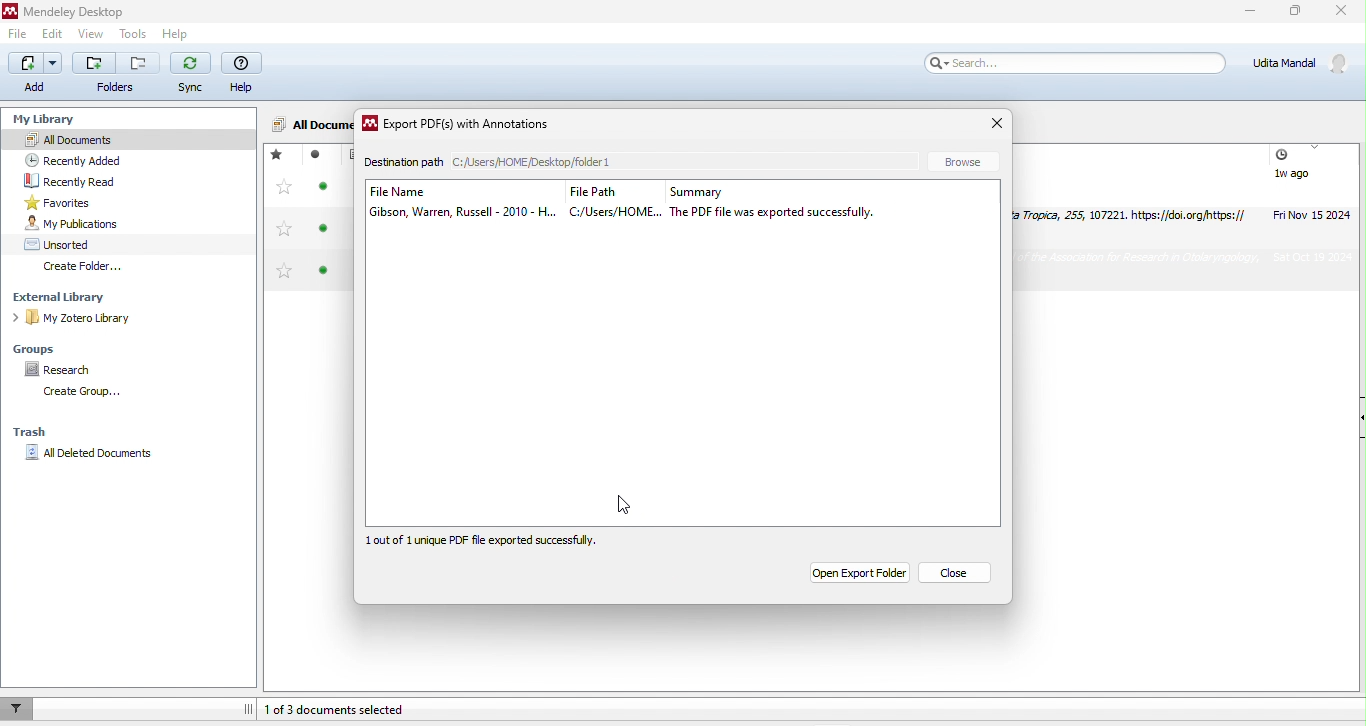 Image resolution: width=1366 pixels, height=726 pixels. I want to click on unsorted, so click(67, 243).